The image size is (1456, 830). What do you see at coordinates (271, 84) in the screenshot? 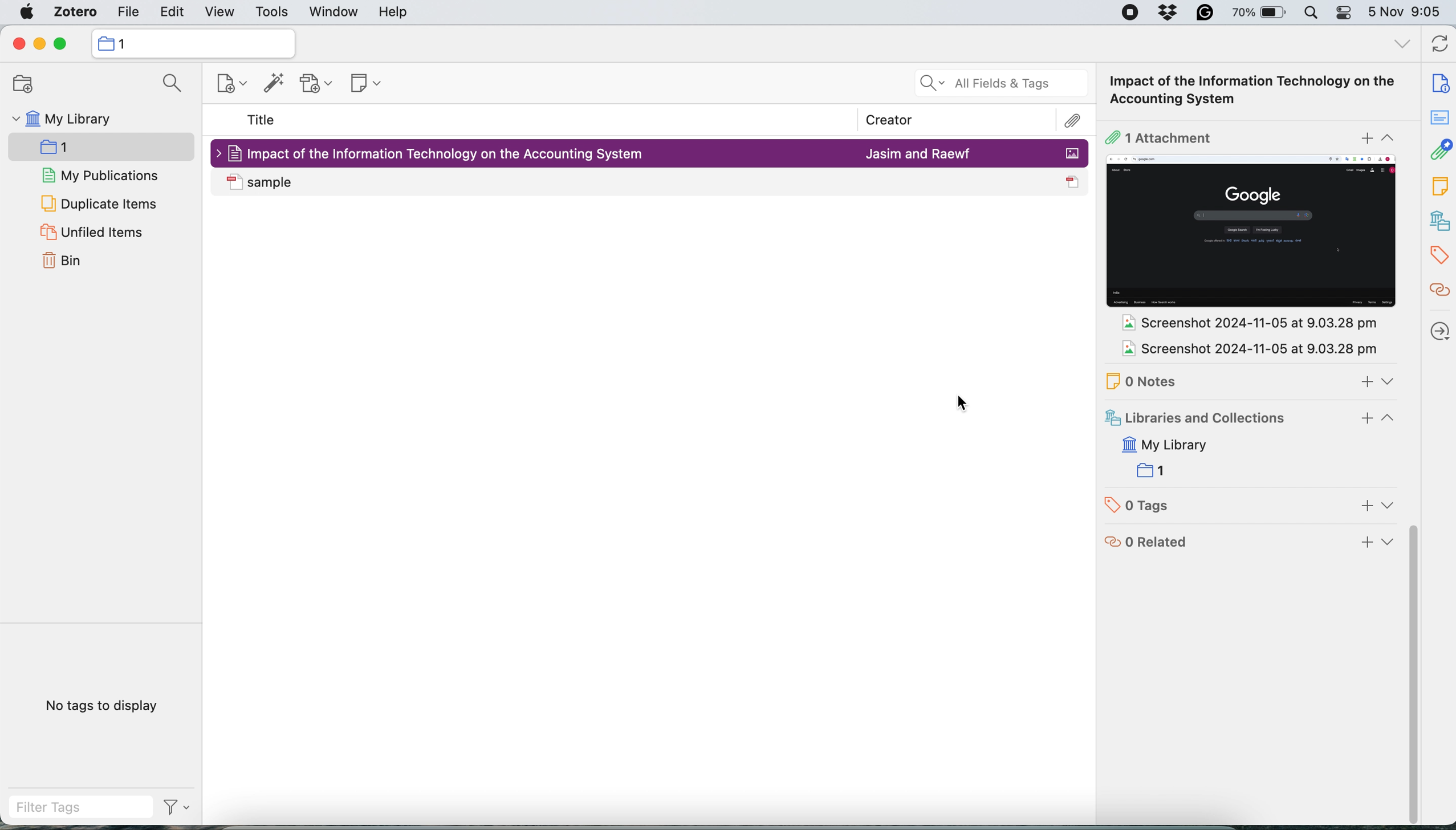
I see `add item by identifier` at bounding box center [271, 84].